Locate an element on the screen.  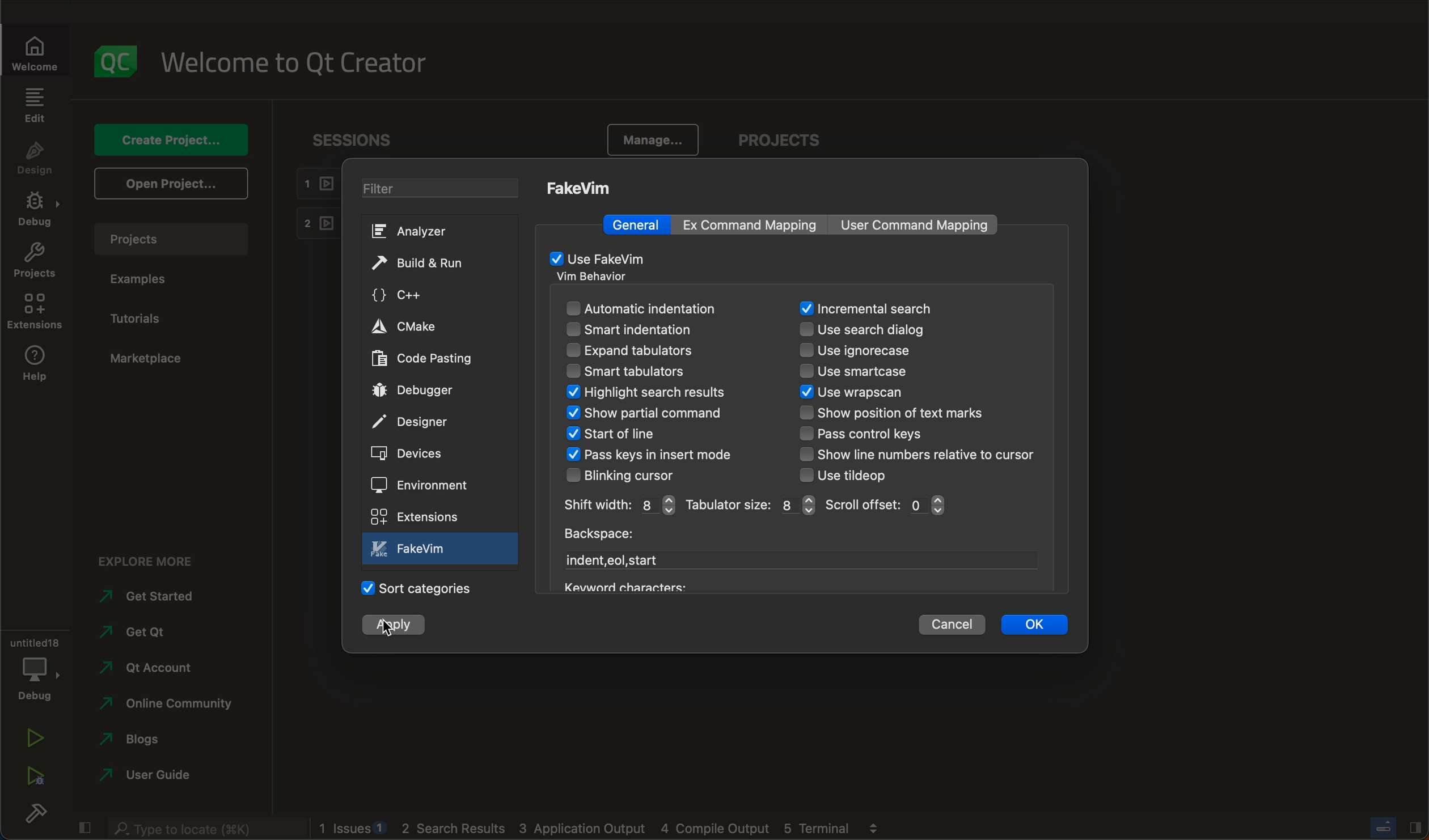
welcome to qt is located at coordinates (301, 63).